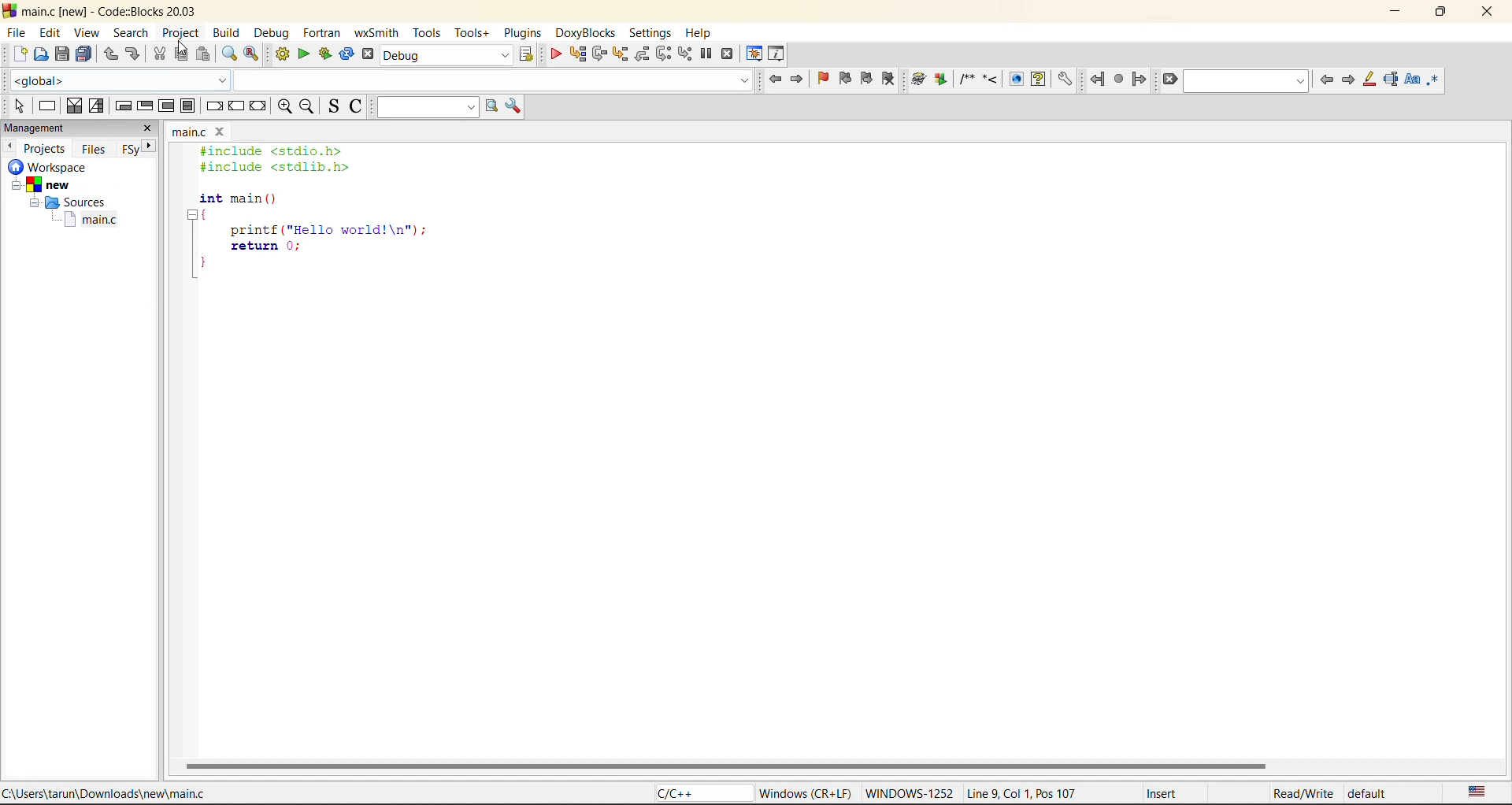 Image resolution: width=1512 pixels, height=805 pixels. I want to click on jump back, so click(1096, 80).